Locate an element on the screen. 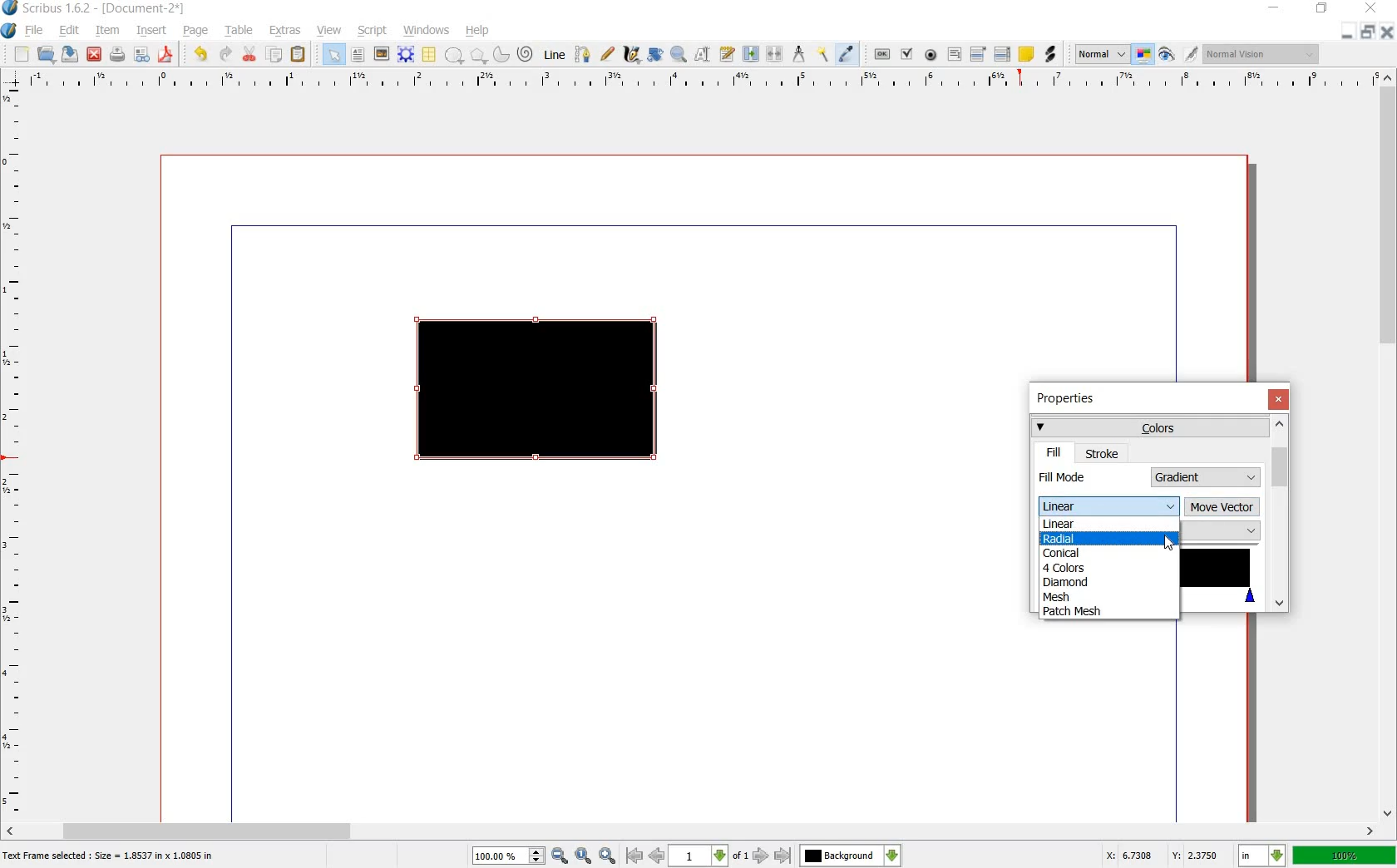 This screenshot has width=1397, height=868. preflight verifier is located at coordinates (141, 55).